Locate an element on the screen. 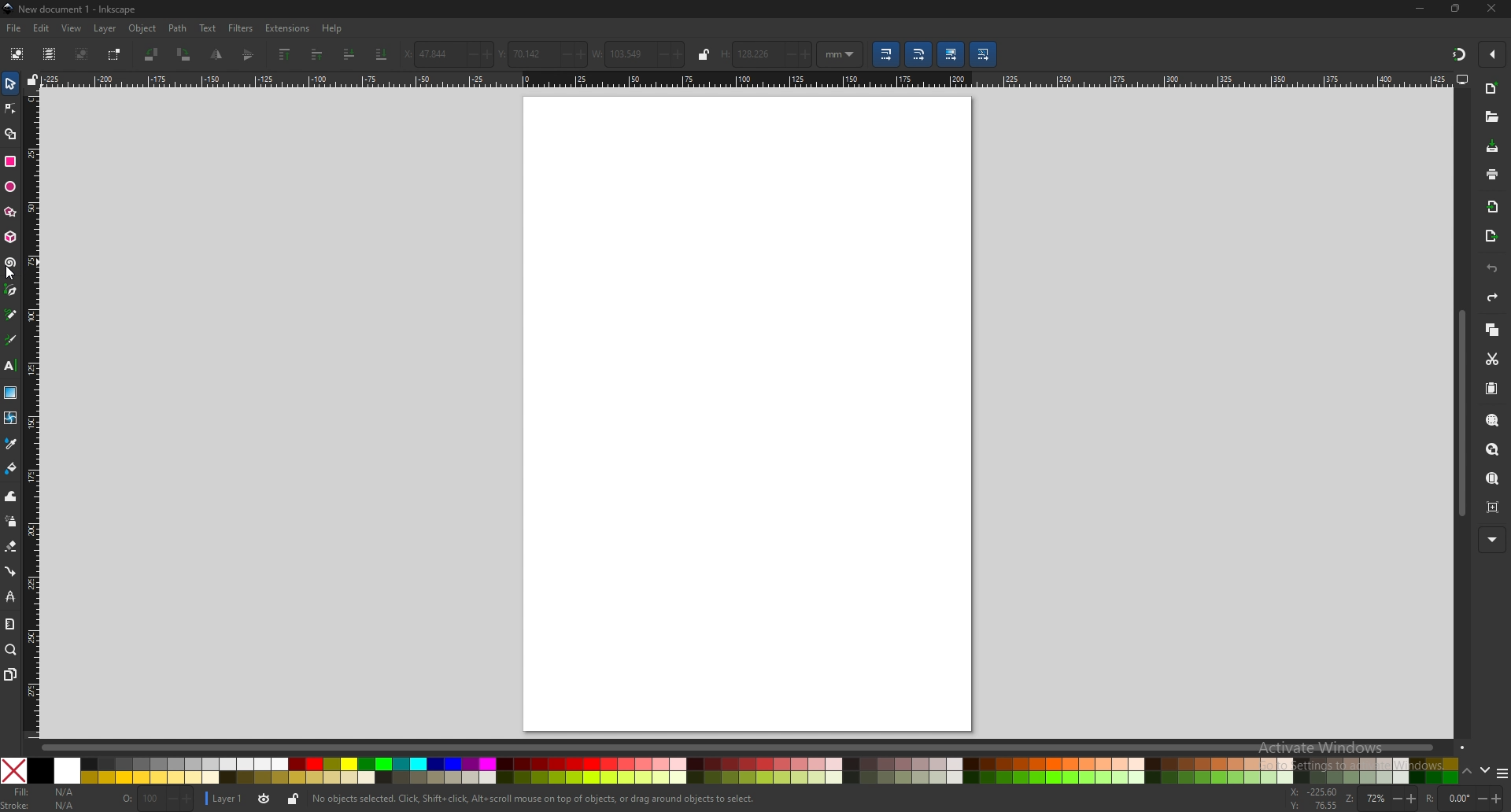 The height and width of the screenshot is (812, 1511). H: 128.226 is located at coordinates (766, 52).